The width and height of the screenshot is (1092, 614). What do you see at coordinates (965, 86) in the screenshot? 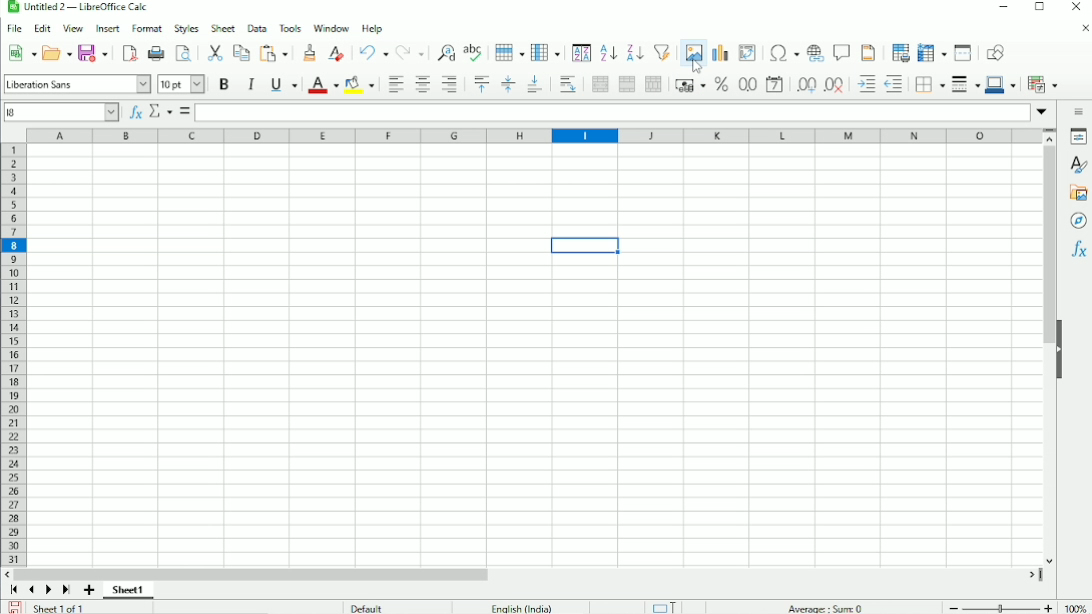
I see `Border styles` at bounding box center [965, 86].